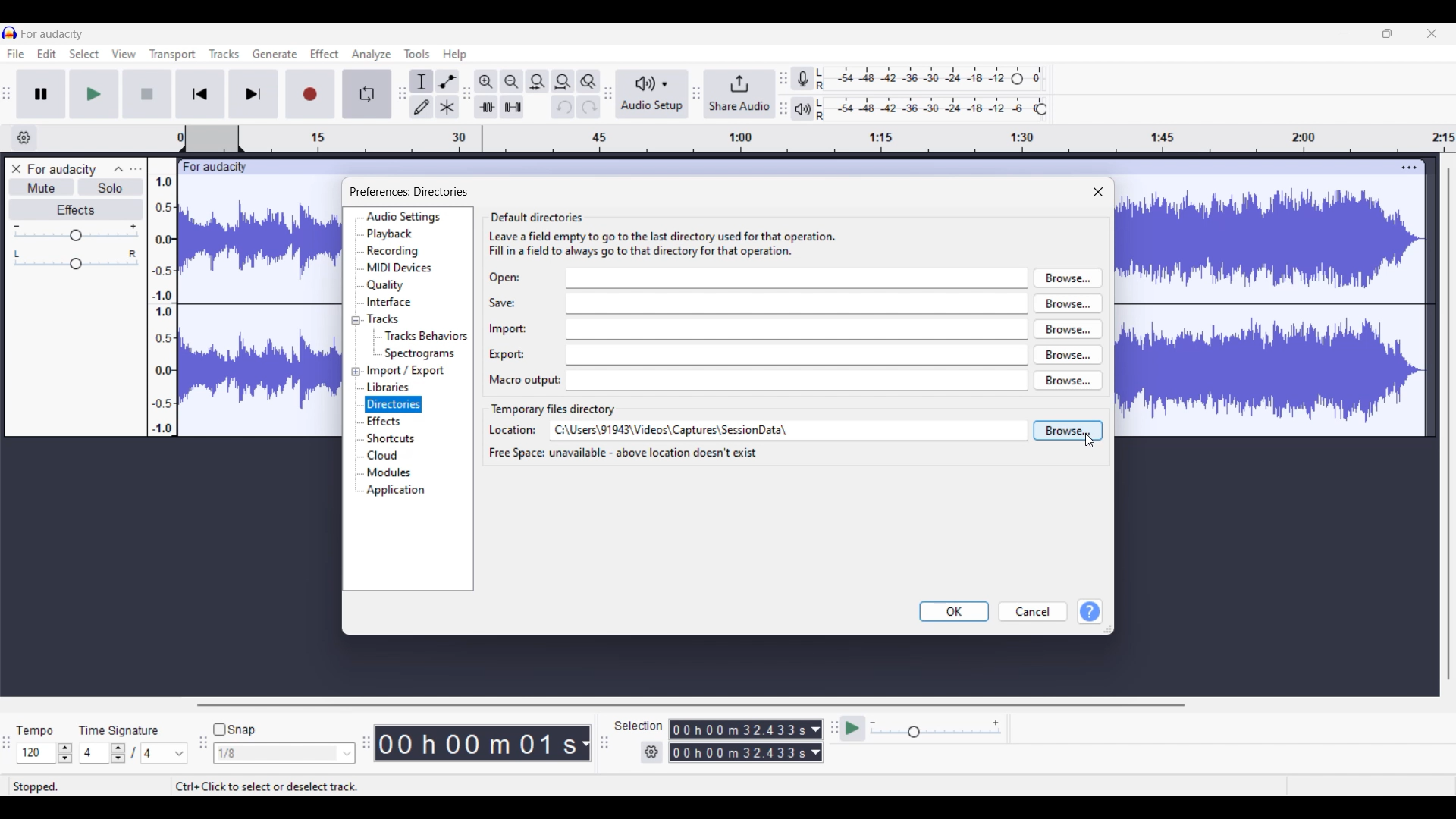 The width and height of the screenshot is (1456, 819). Describe the element at coordinates (512, 107) in the screenshot. I see `Silence audio selection` at that location.